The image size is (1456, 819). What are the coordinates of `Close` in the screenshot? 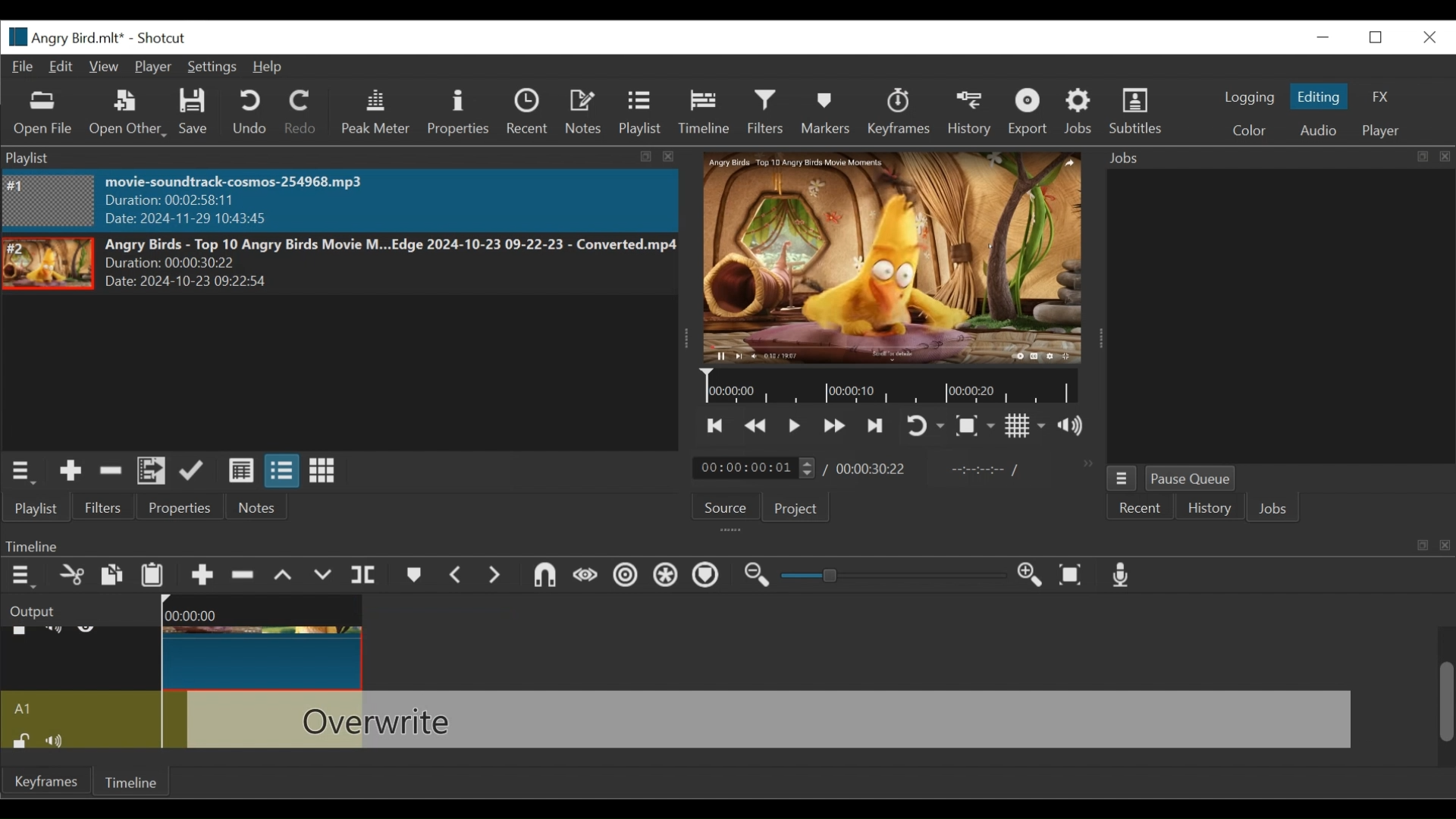 It's located at (1429, 35).